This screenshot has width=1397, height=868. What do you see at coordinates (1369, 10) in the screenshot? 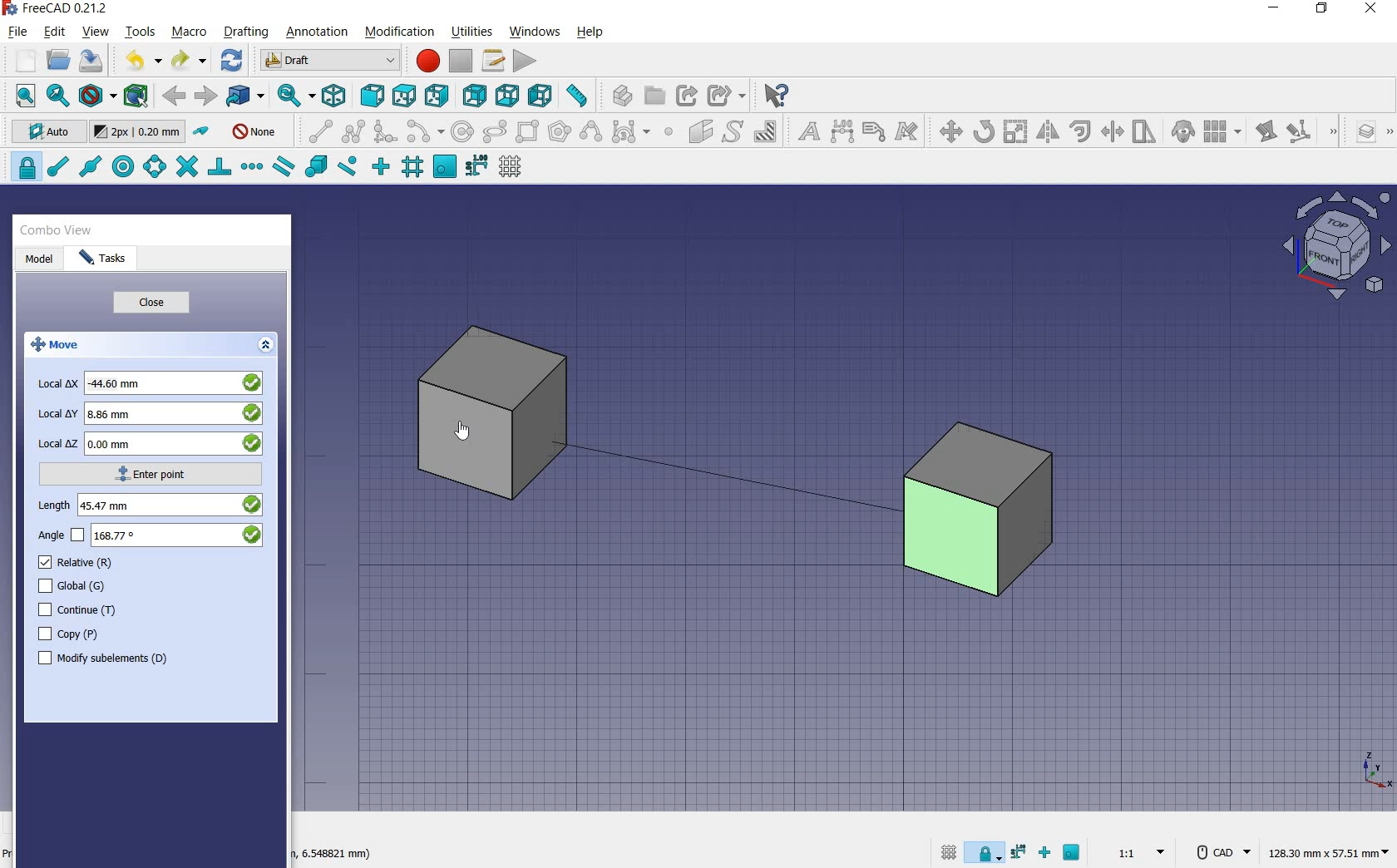
I see `close` at bounding box center [1369, 10].